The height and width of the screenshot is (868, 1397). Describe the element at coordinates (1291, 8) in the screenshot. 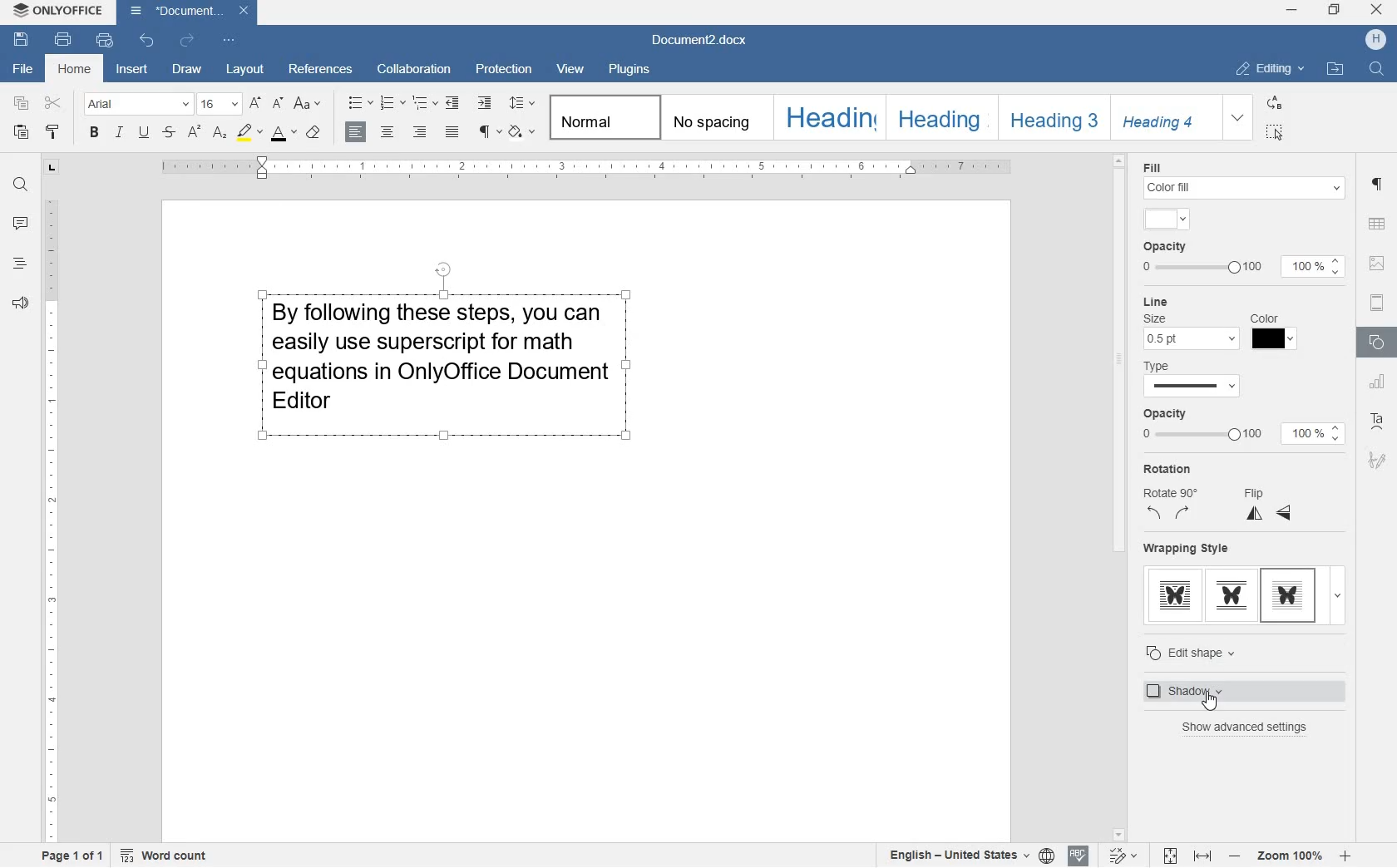

I see `minimize` at that location.